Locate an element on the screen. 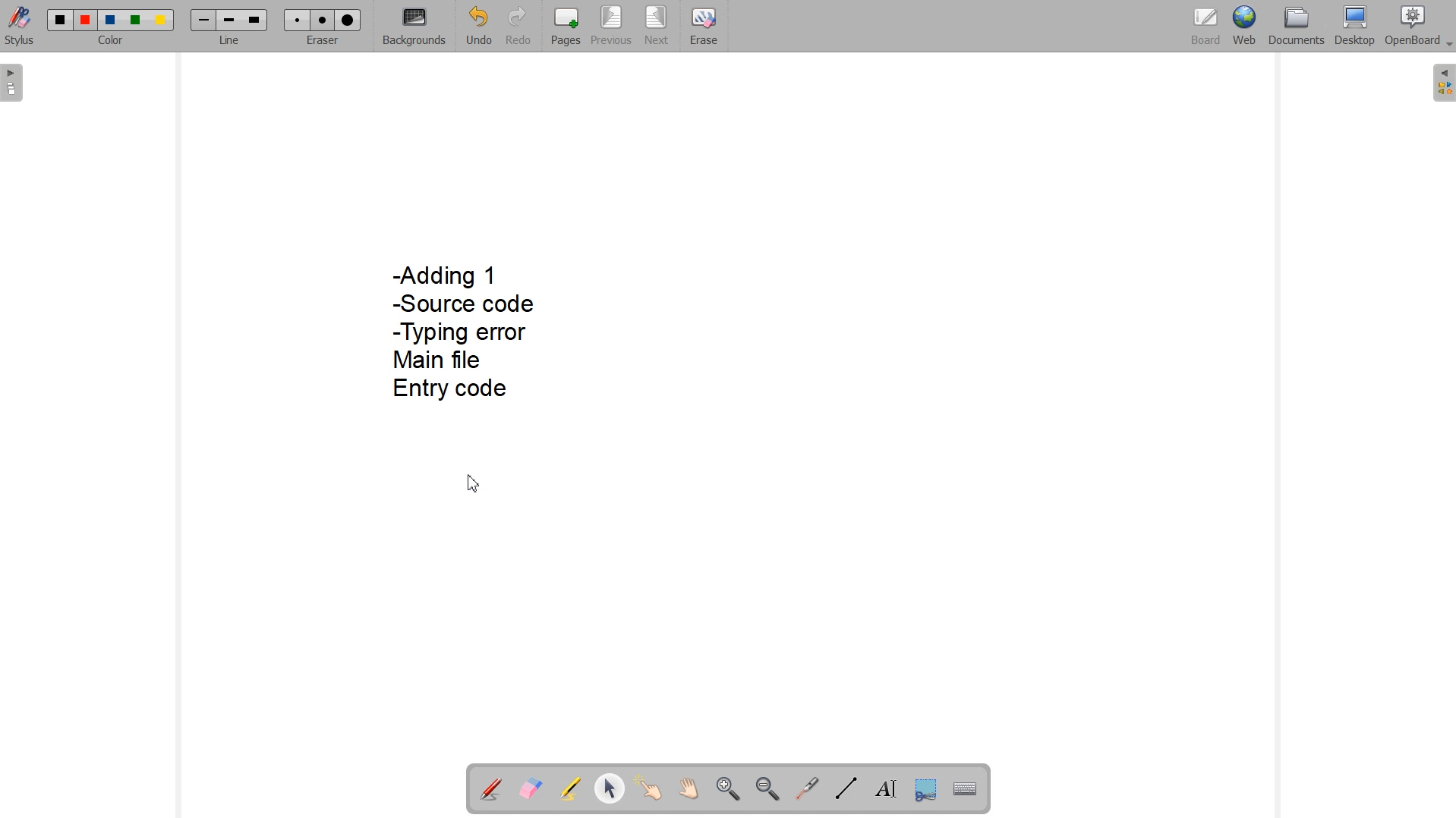 This screenshot has width=1456, height=818. The library (right panel) is located at coordinates (1442, 83).